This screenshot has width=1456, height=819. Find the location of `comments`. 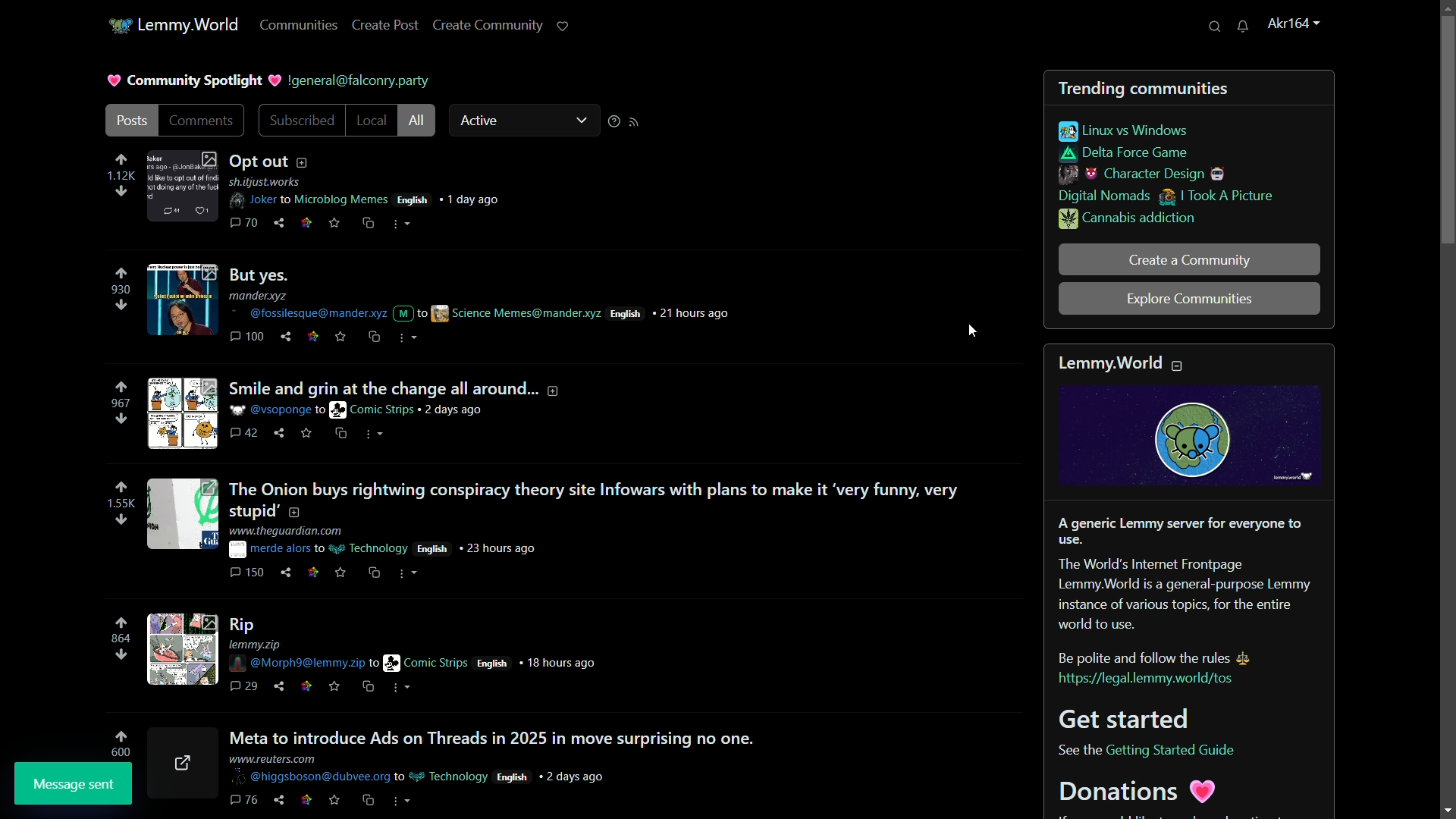

comments is located at coordinates (247, 336).